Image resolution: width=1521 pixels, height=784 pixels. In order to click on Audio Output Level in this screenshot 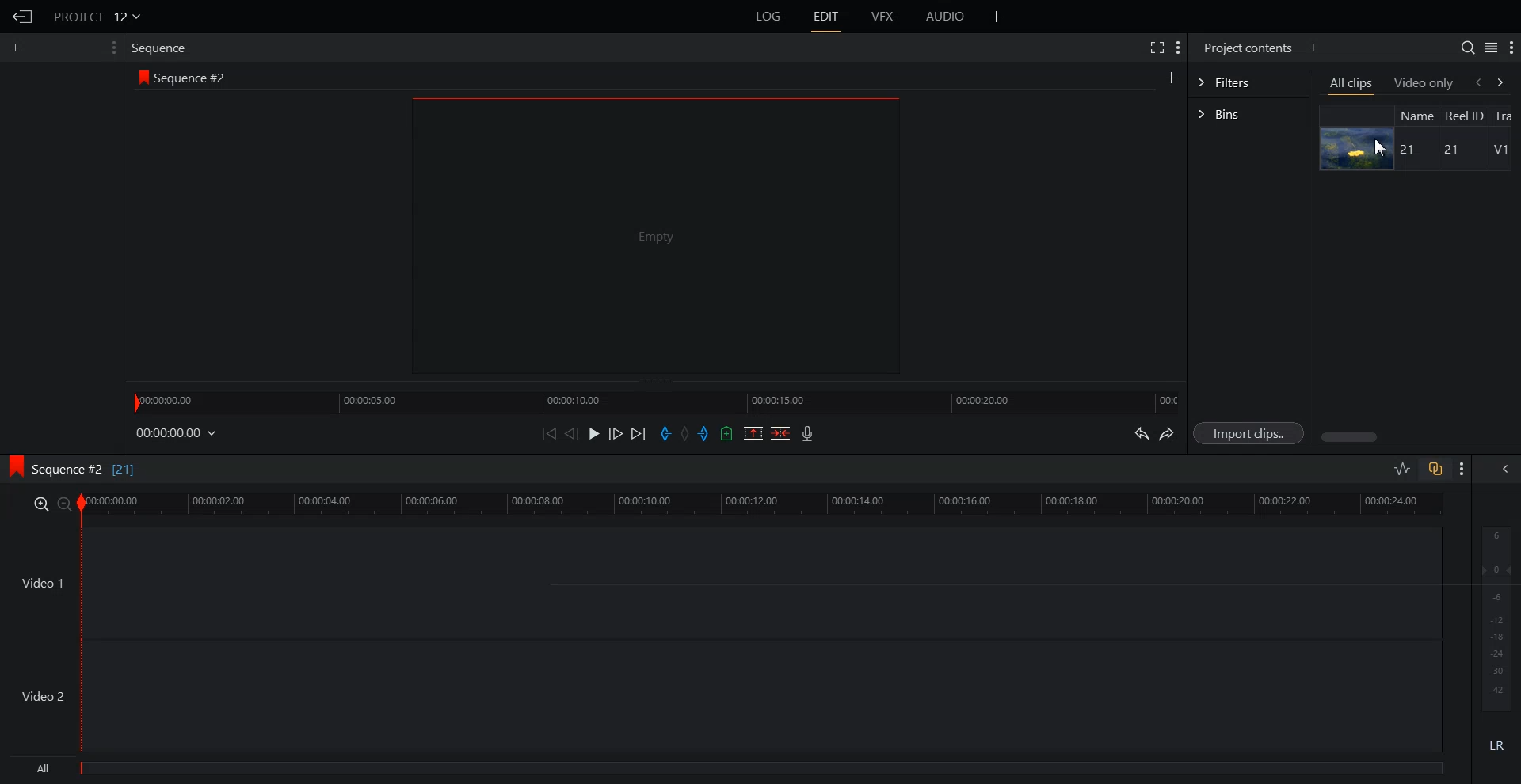, I will do `click(1493, 615)`.